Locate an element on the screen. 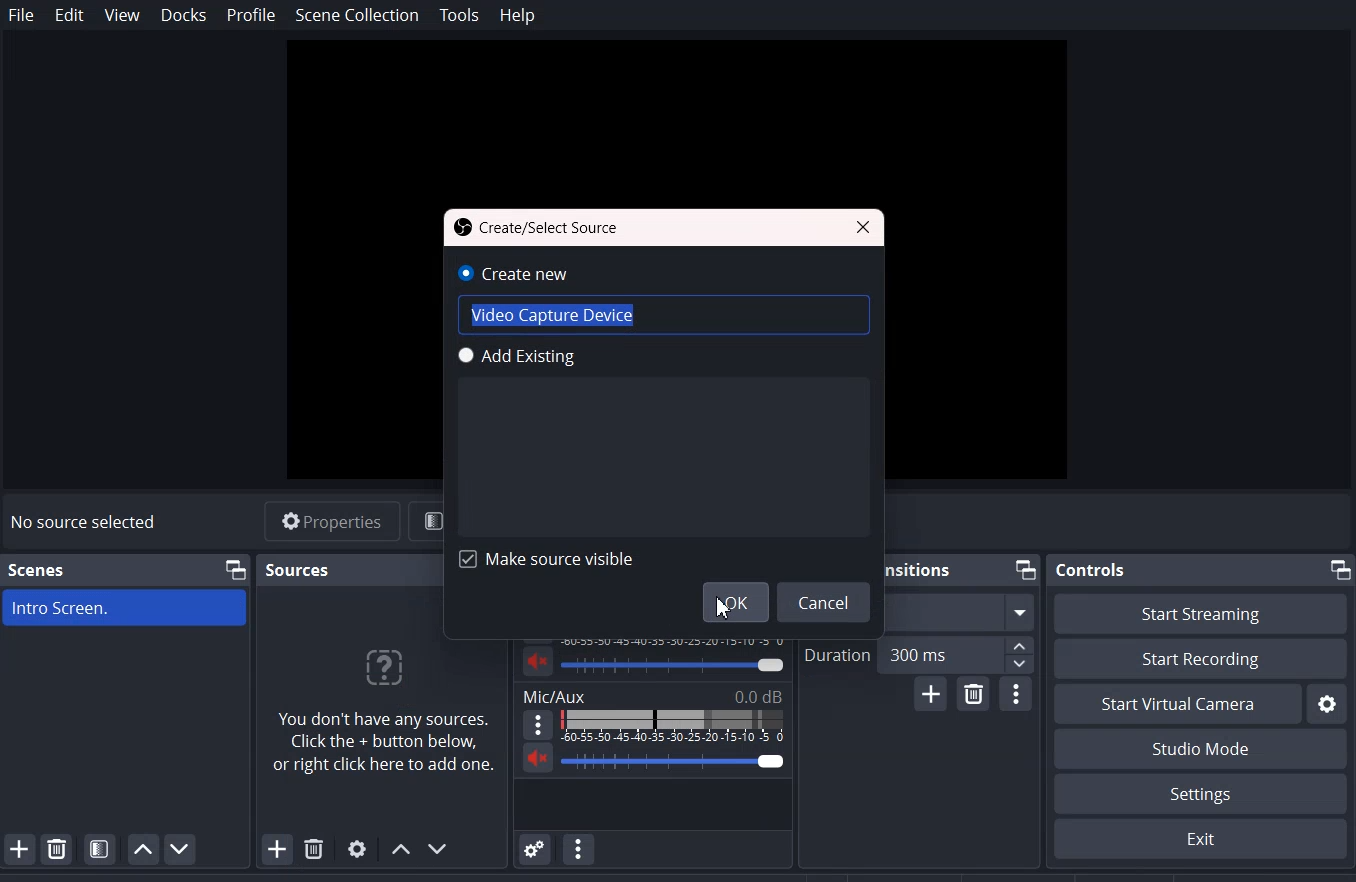  Remove Selected Source is located at coordinates (314, 849).